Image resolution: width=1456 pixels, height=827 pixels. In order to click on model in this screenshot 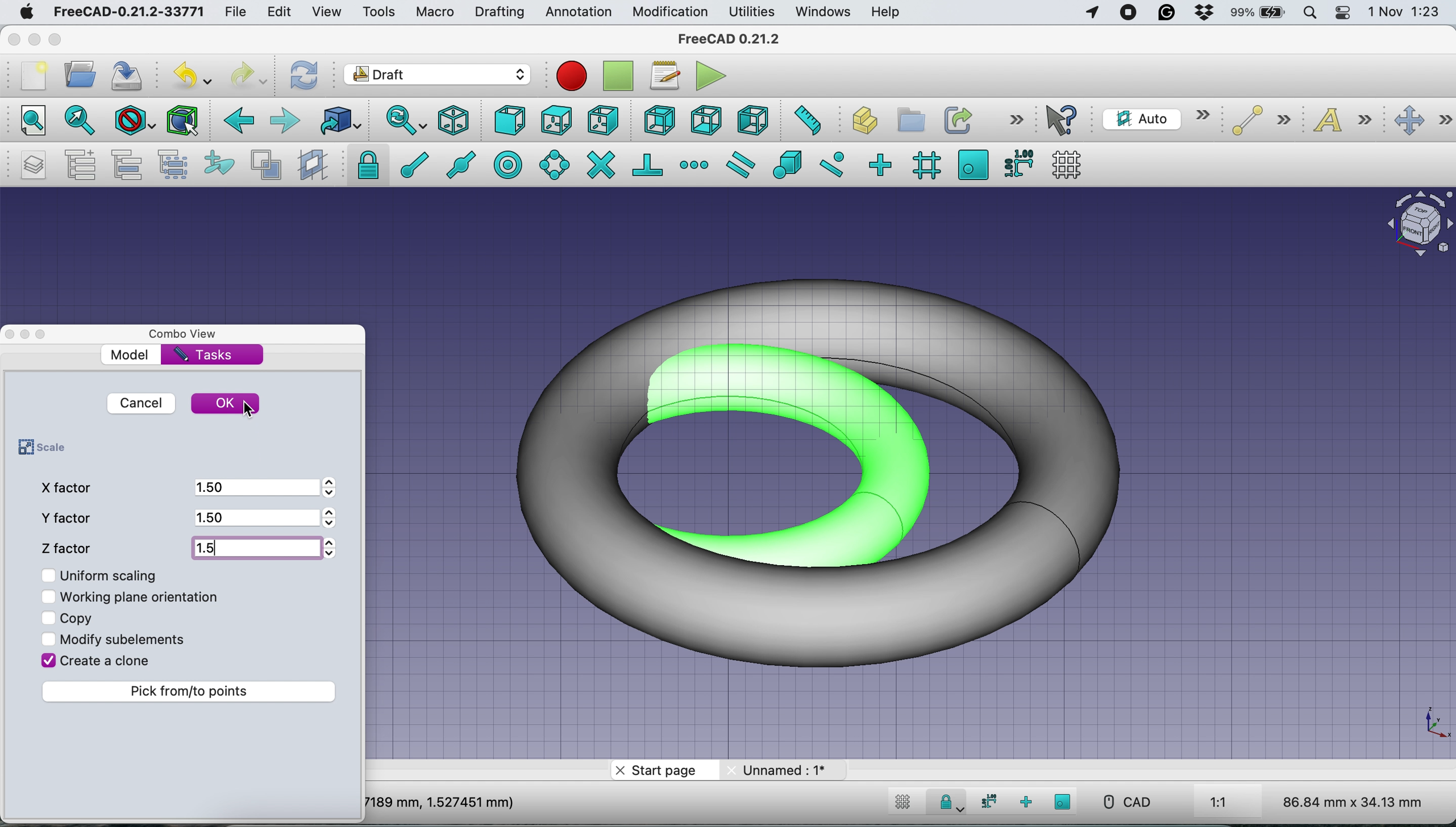, I will do `click(131, 354)`.